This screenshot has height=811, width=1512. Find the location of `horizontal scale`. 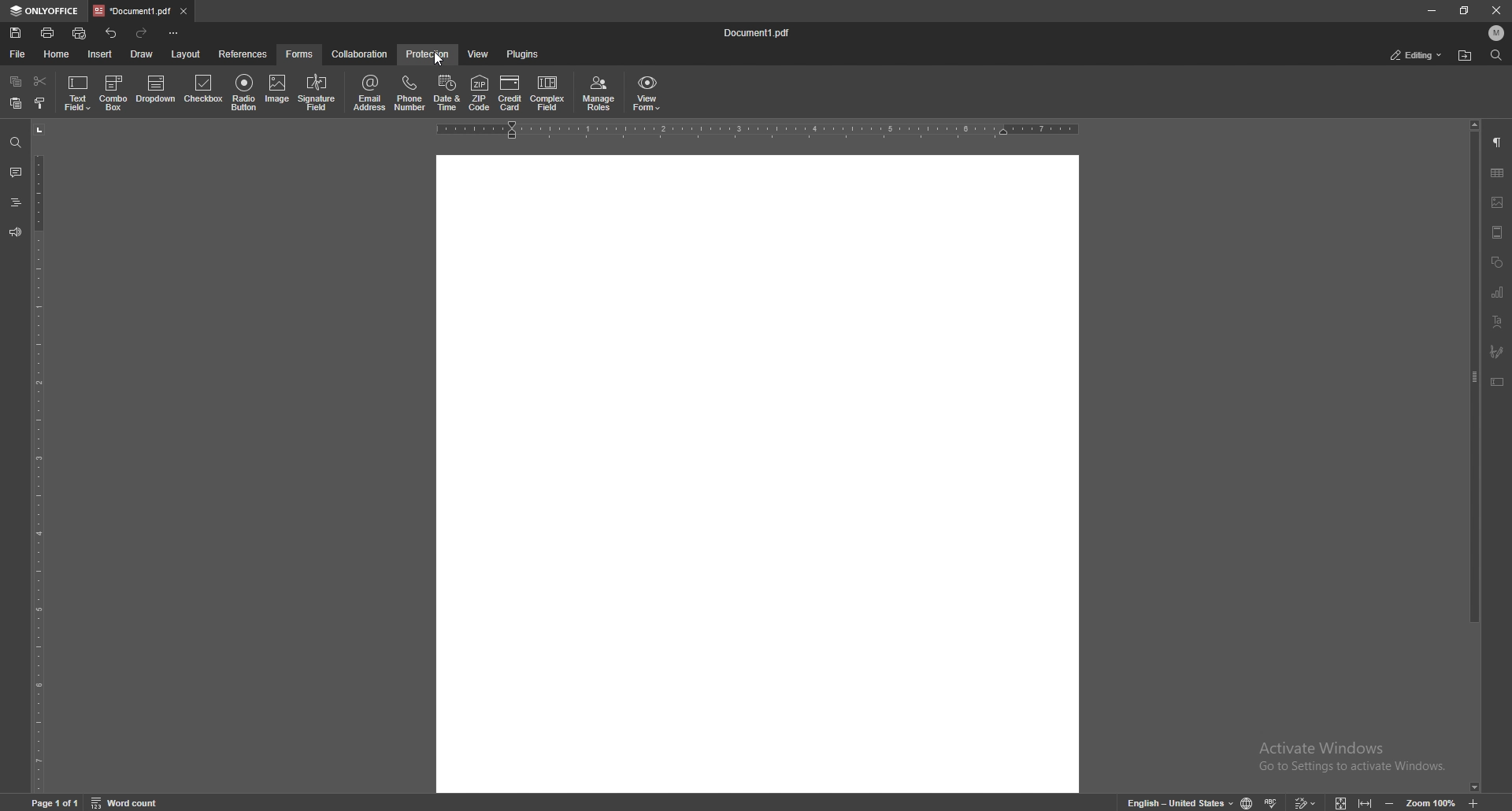

horizontal scale is located at coordinates (758, 131).